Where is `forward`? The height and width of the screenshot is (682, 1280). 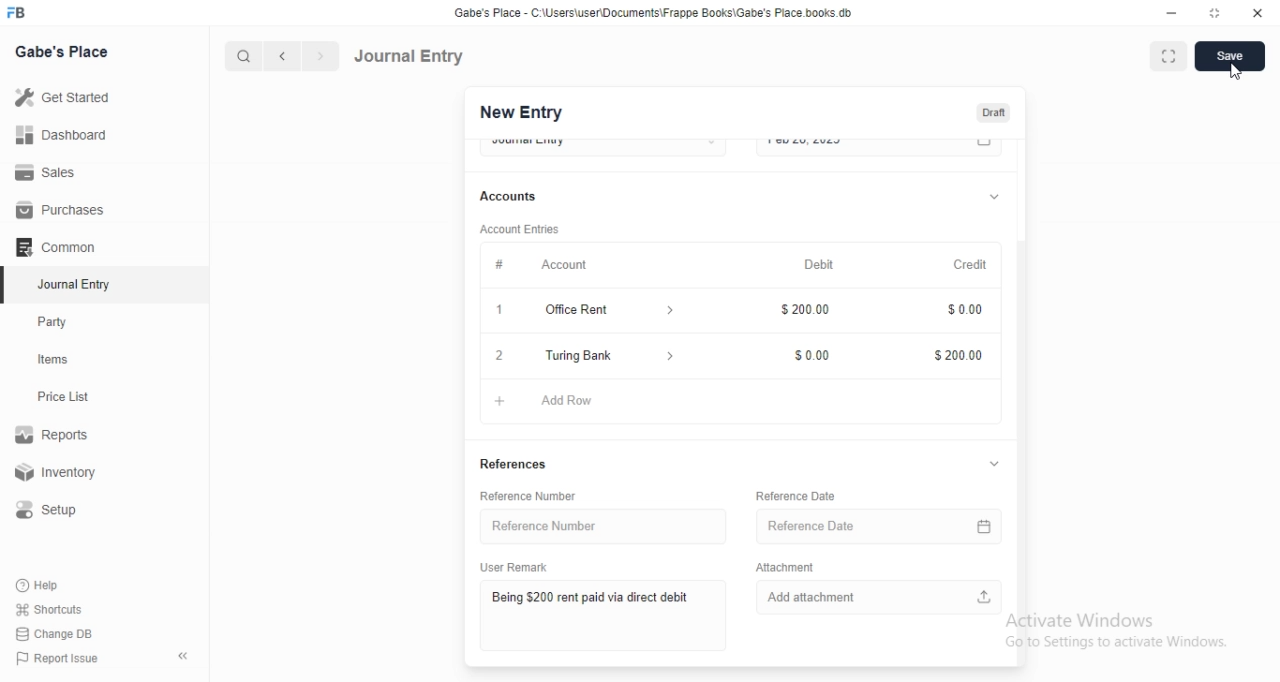 forward is located at coordinates (322, 56).